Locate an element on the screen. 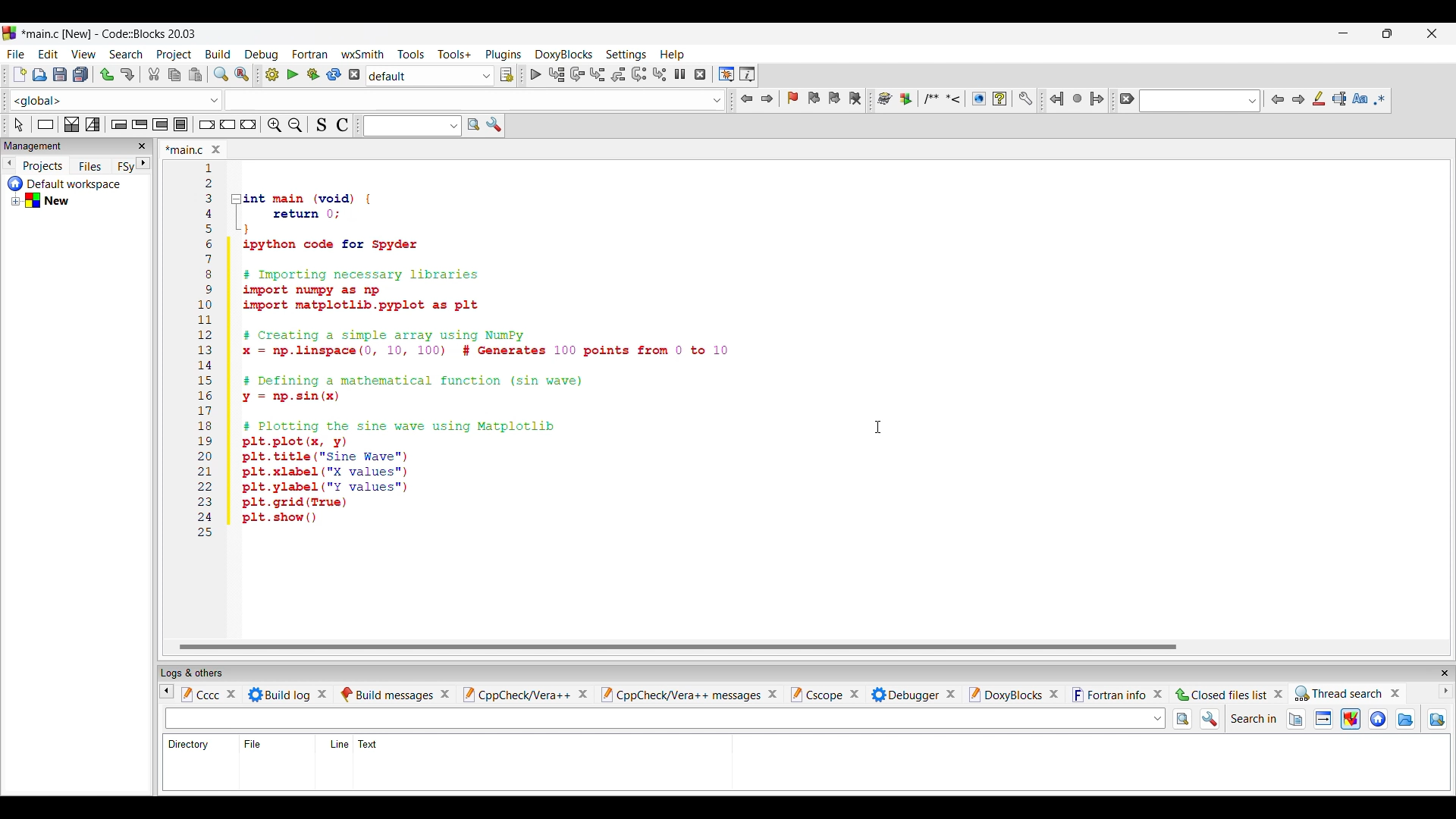  Undo is located at coordinates (107, 74).